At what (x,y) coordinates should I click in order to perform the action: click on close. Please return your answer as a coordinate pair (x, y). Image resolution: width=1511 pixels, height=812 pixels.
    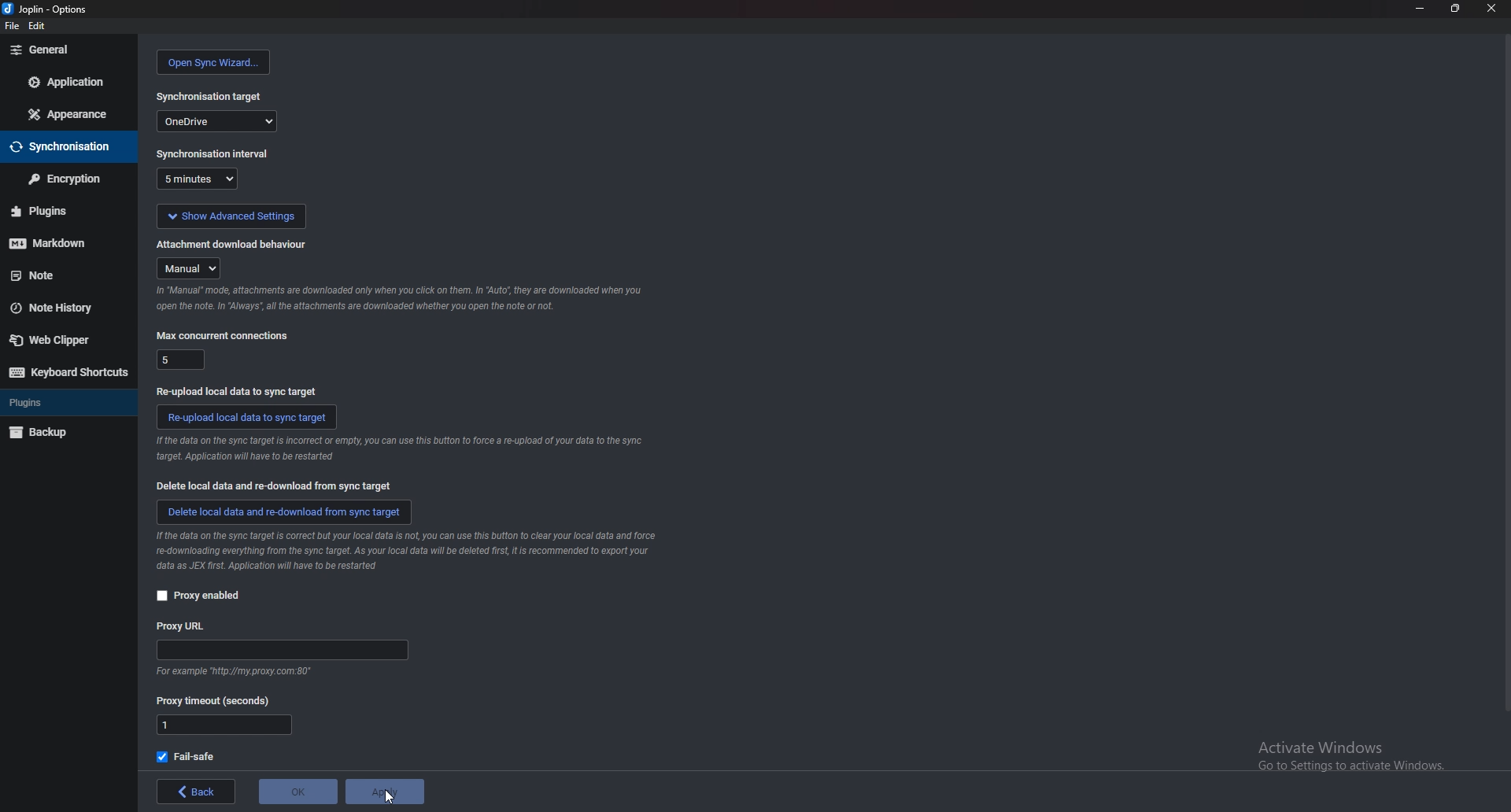
    Looking at the image, I should click on (1490, 8).